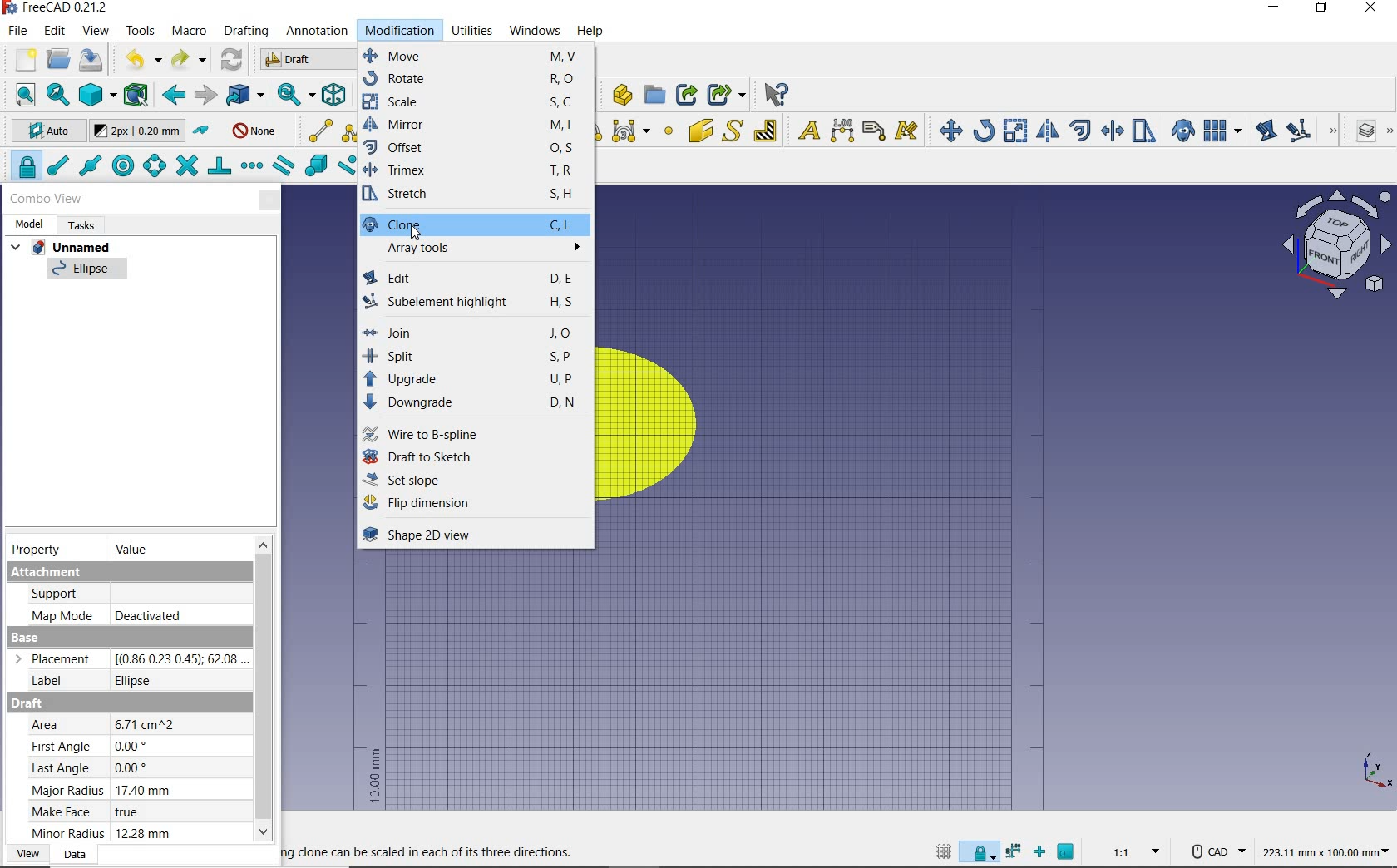 This screenshot has height=868, width=1397. What do you see at coordinates (16, 30) in the screenshot?
I see `file` at bounding box center [16, 30].